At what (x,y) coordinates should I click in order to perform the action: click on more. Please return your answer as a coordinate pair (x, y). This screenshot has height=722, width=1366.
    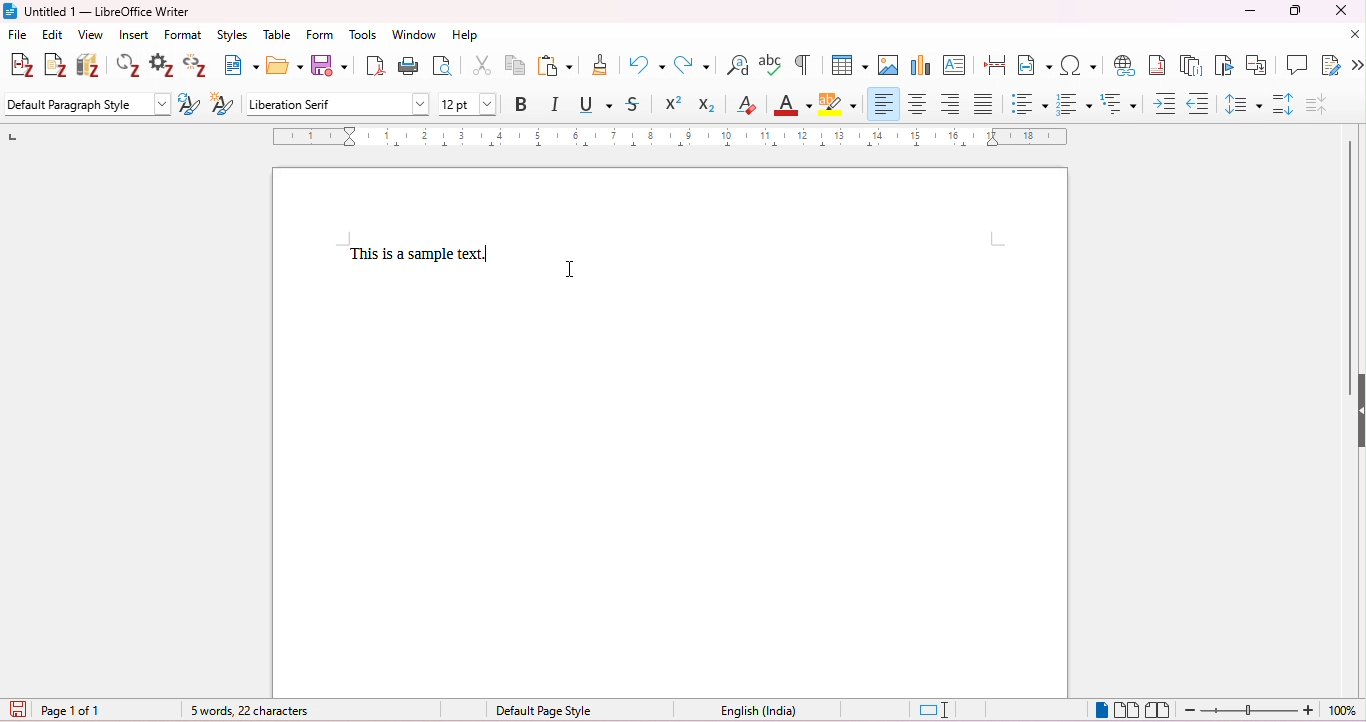
    Looking at the image, I should click on (1357, 66).